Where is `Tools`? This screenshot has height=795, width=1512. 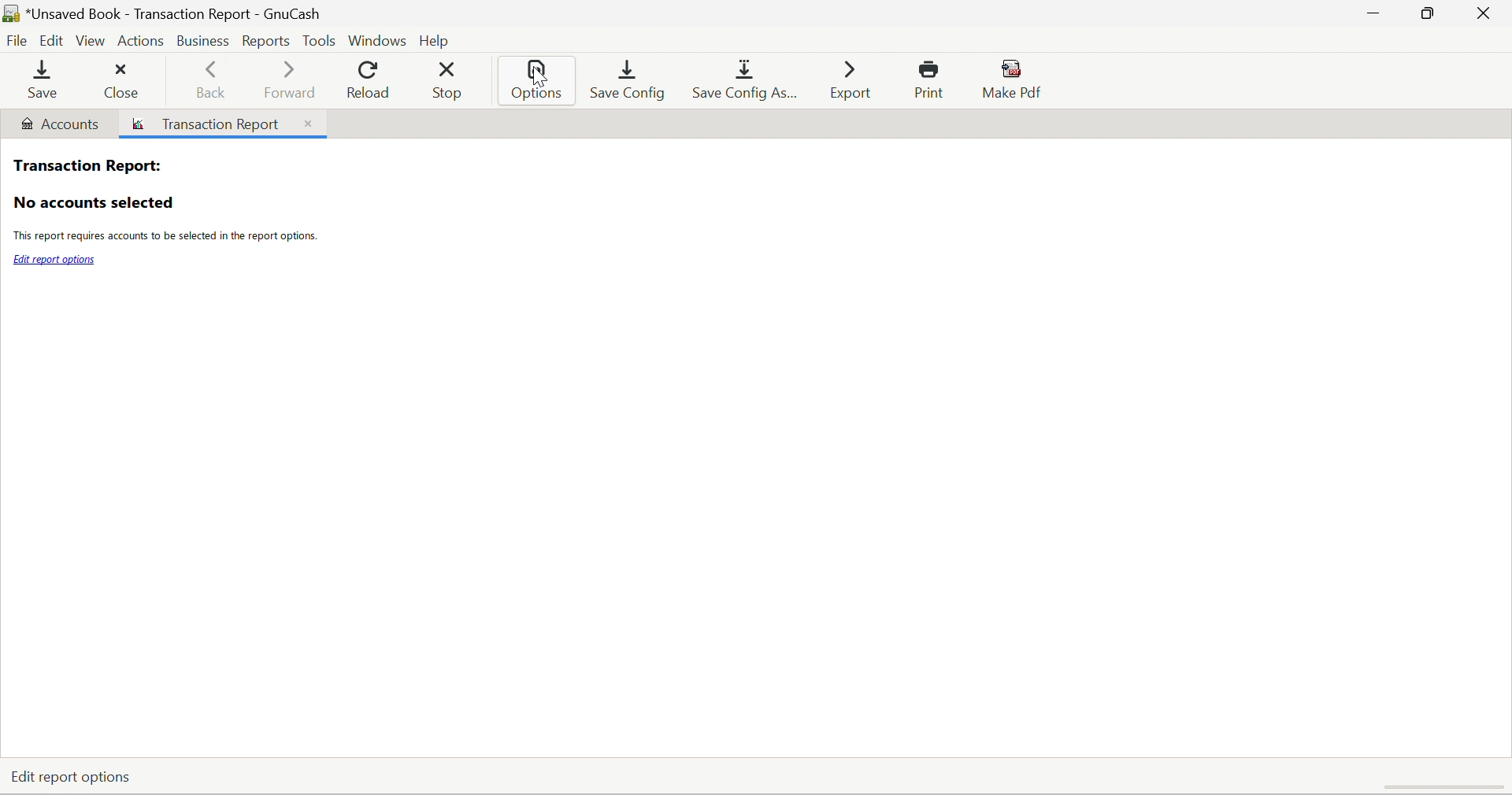
Tools is located at coordinates (318, 39).